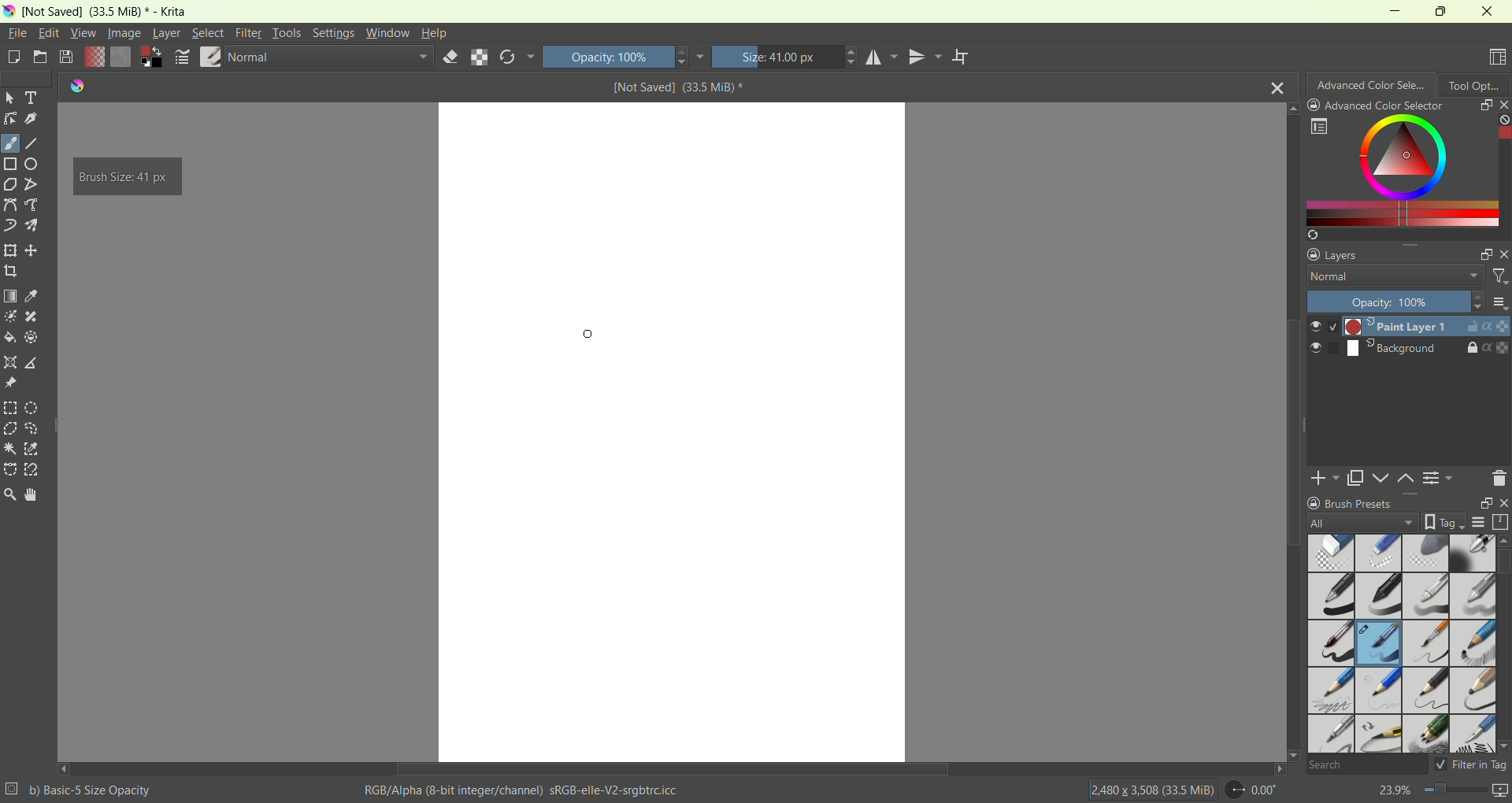  Describe the element at coordinates (106, 13) in the screenshot. I see `[Not Saved] (33.5 MiB) * - Krita` at that location.